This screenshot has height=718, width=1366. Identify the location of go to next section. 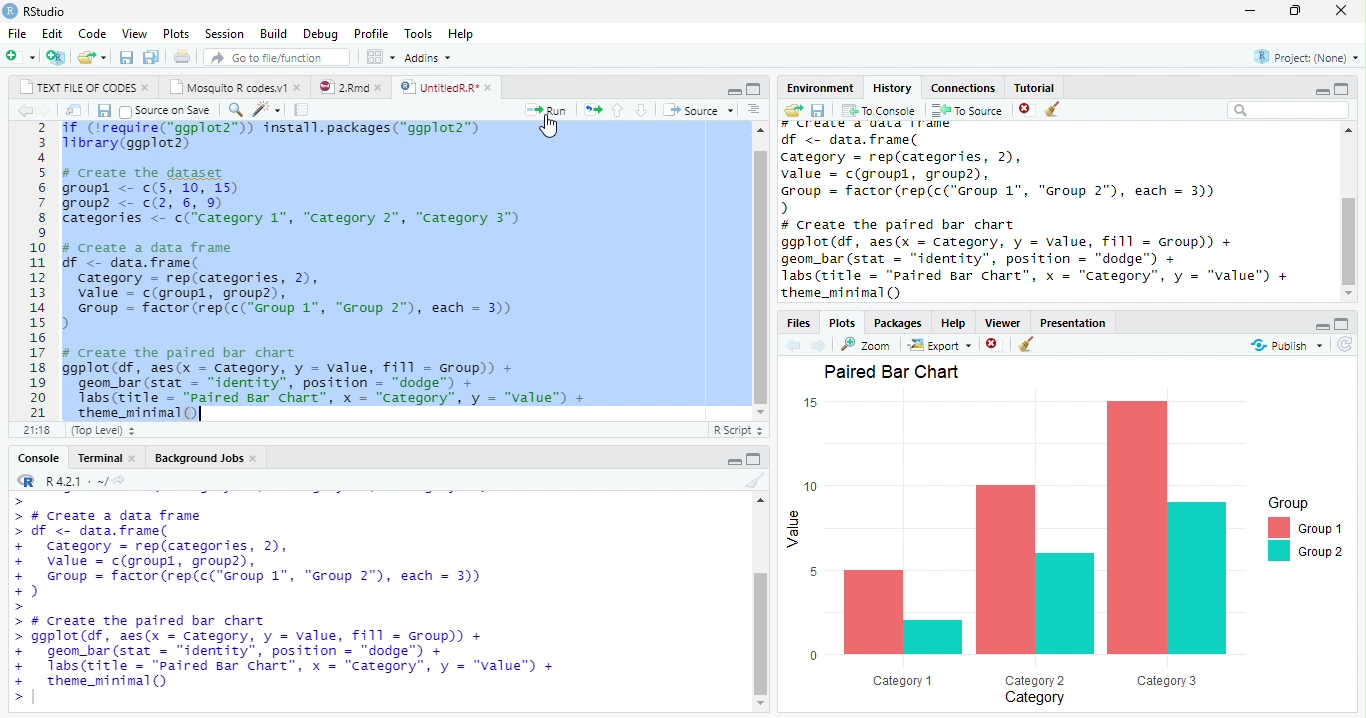
(753, 110).